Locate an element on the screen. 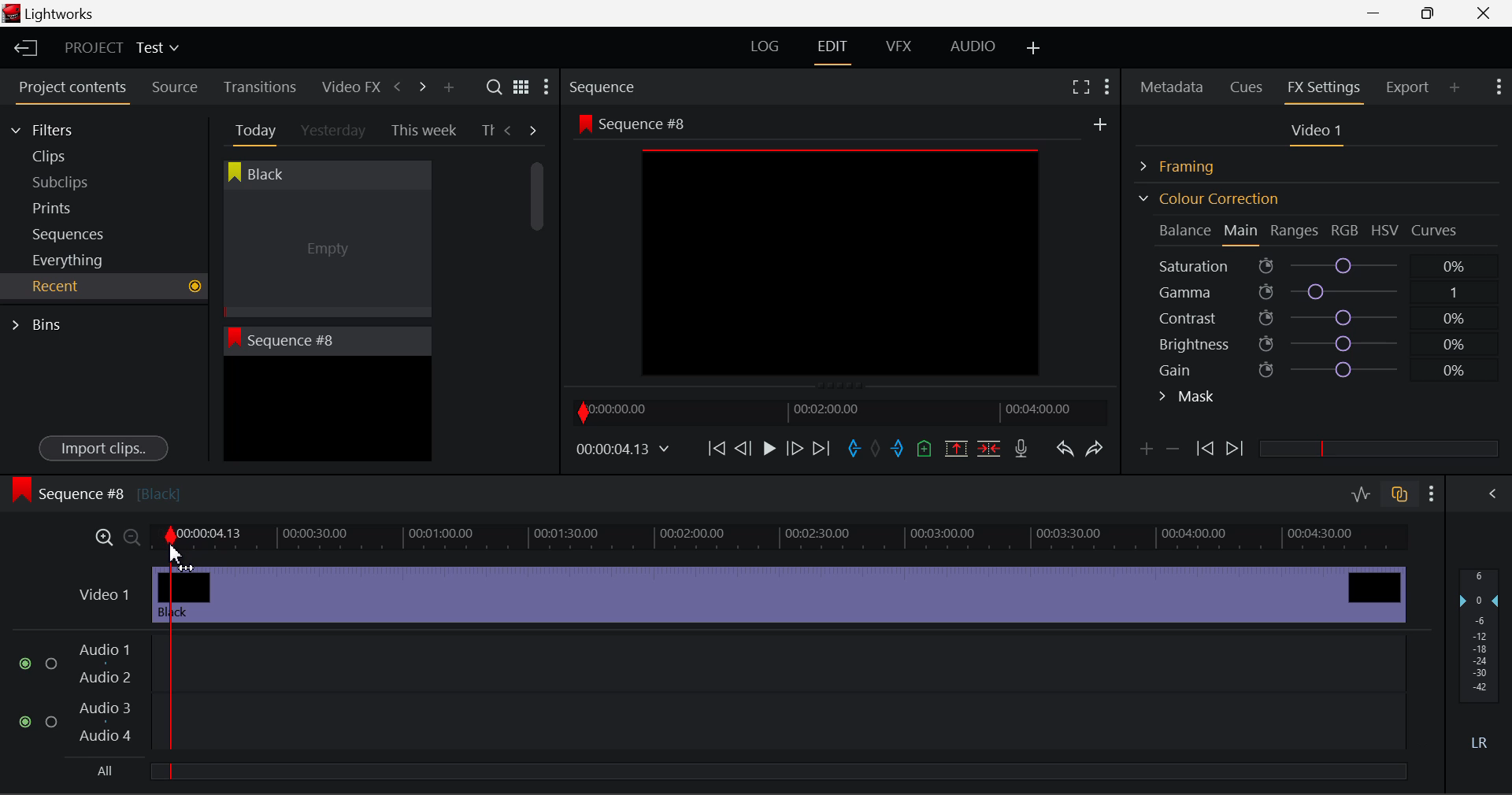  Import clips is located at coordinates (103, 449).